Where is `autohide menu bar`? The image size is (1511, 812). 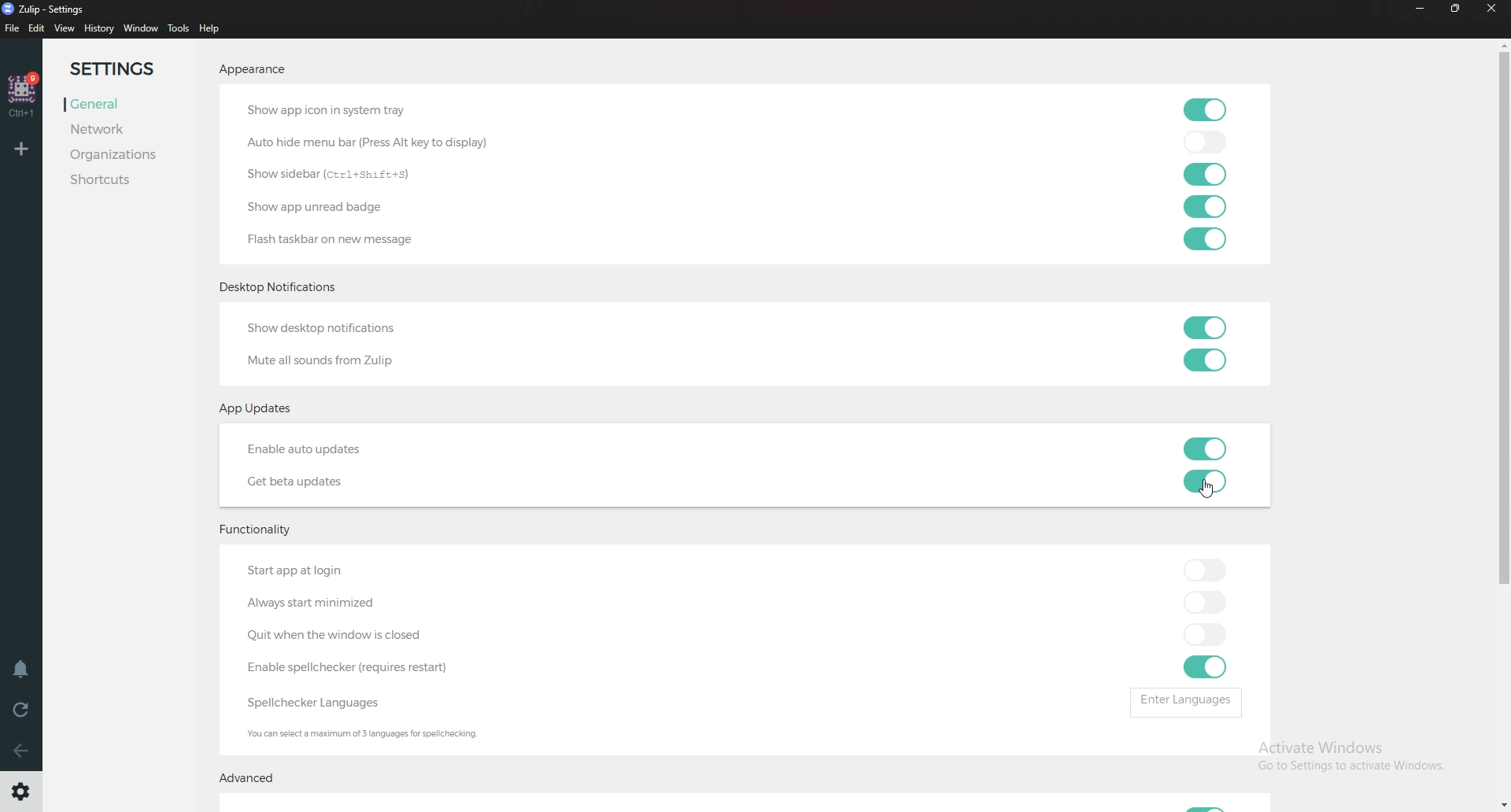
autohide menu bar is located at coordinates (382, 143).